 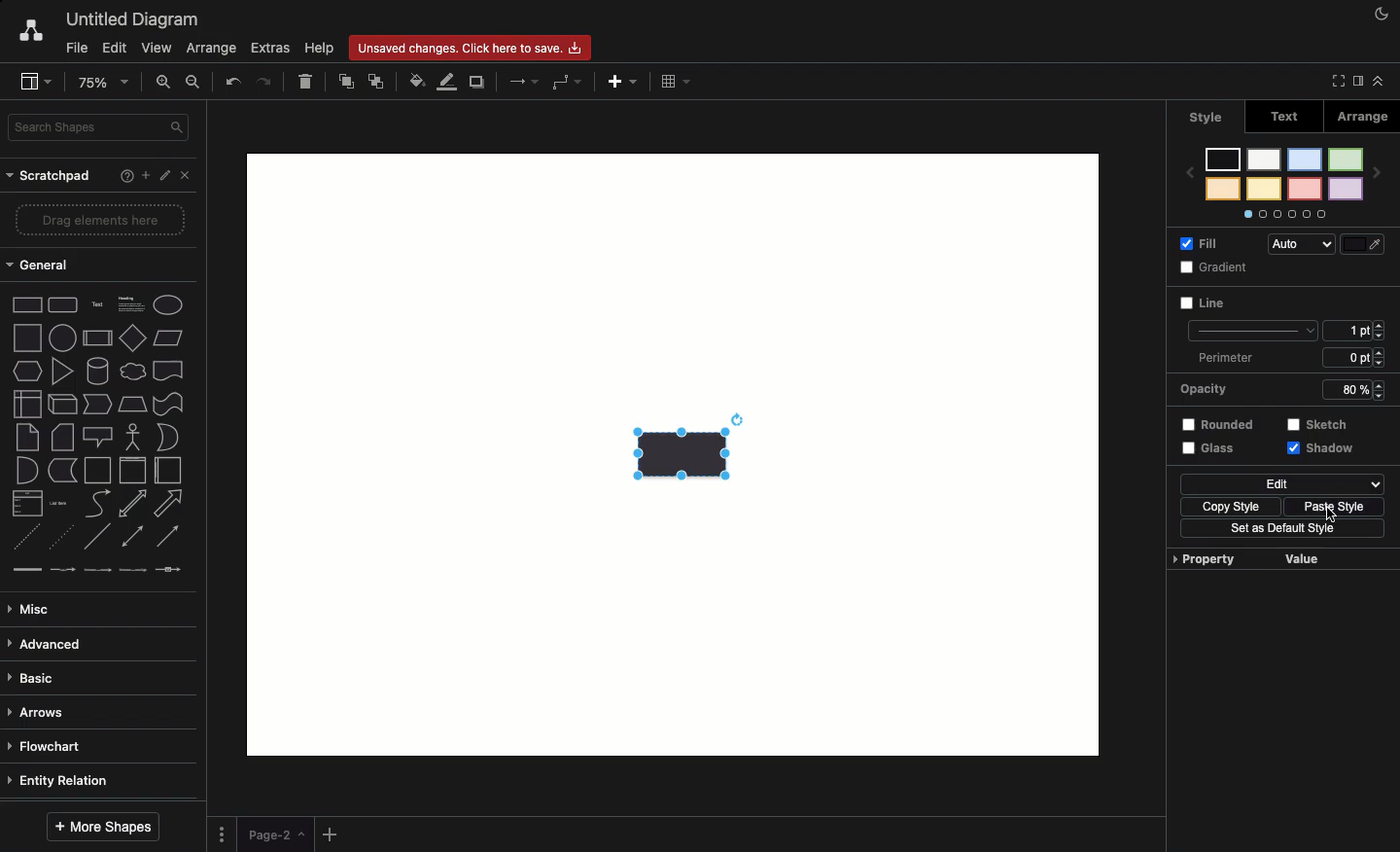 What do you see at coordinates (135, 437) in the screenshot?
I see `actor` at bounding box center [135, 437].